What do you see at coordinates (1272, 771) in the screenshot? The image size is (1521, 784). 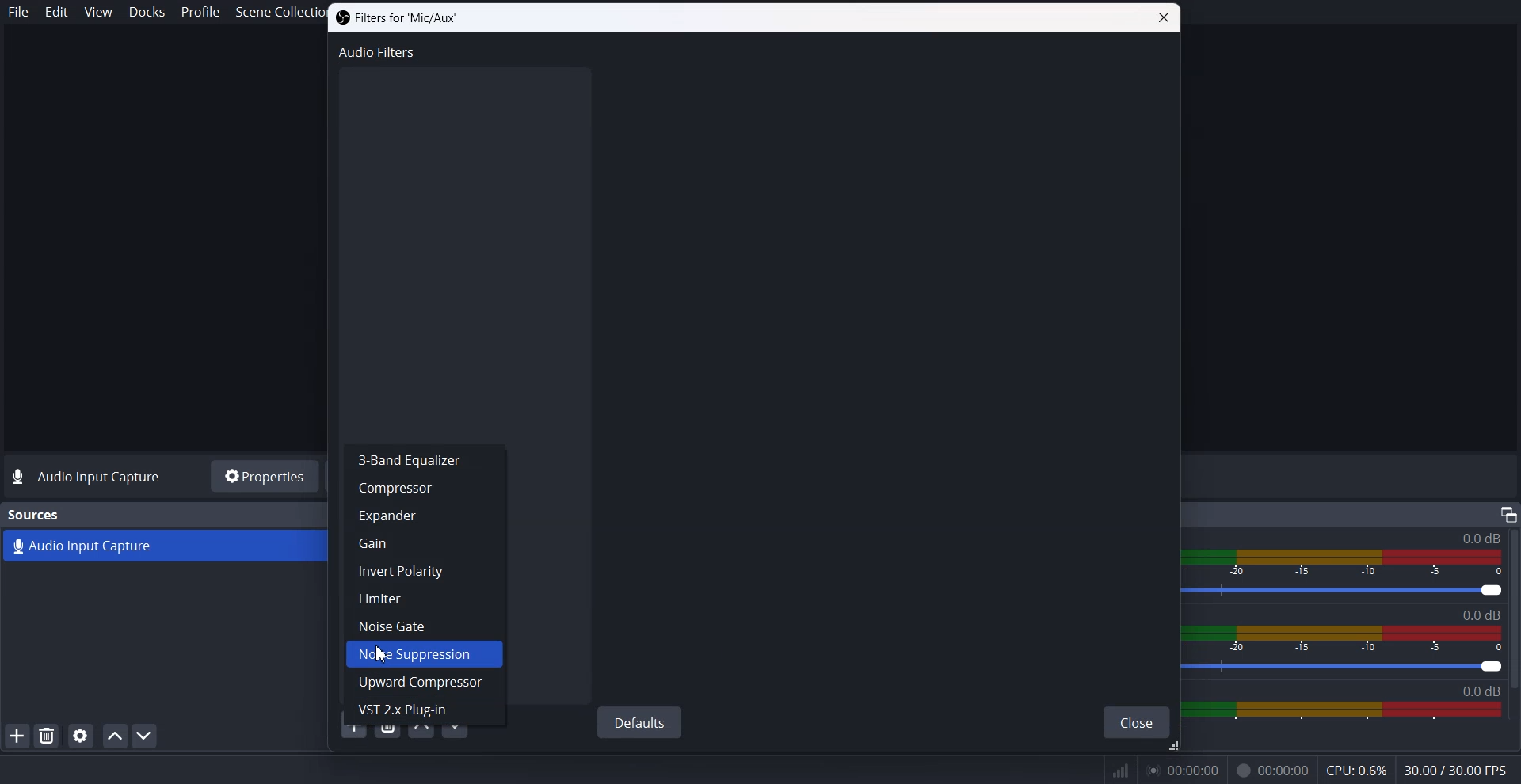 I see `Recording` at bounding box center [1272, 771].